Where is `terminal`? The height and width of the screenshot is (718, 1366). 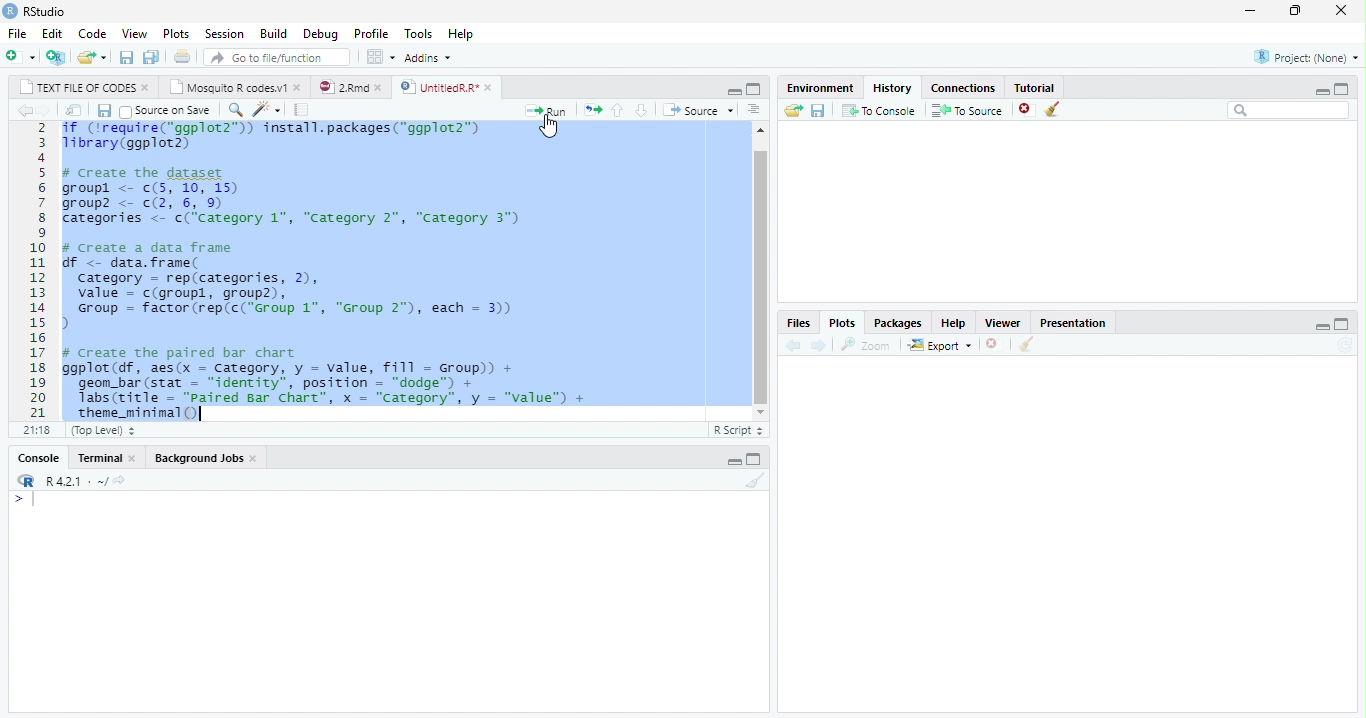 terminal is located at coordinates (98, 458).